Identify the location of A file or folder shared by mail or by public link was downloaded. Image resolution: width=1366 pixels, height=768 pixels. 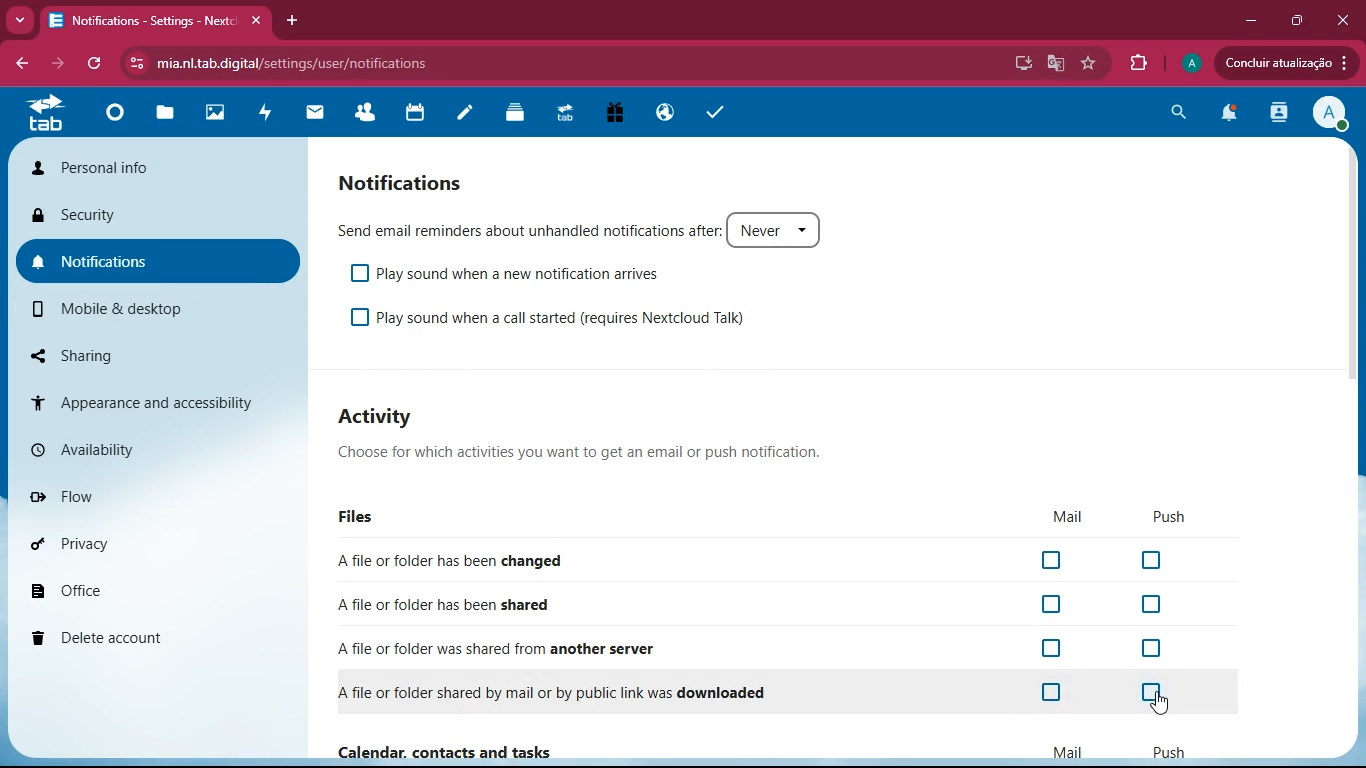
(559, 692).